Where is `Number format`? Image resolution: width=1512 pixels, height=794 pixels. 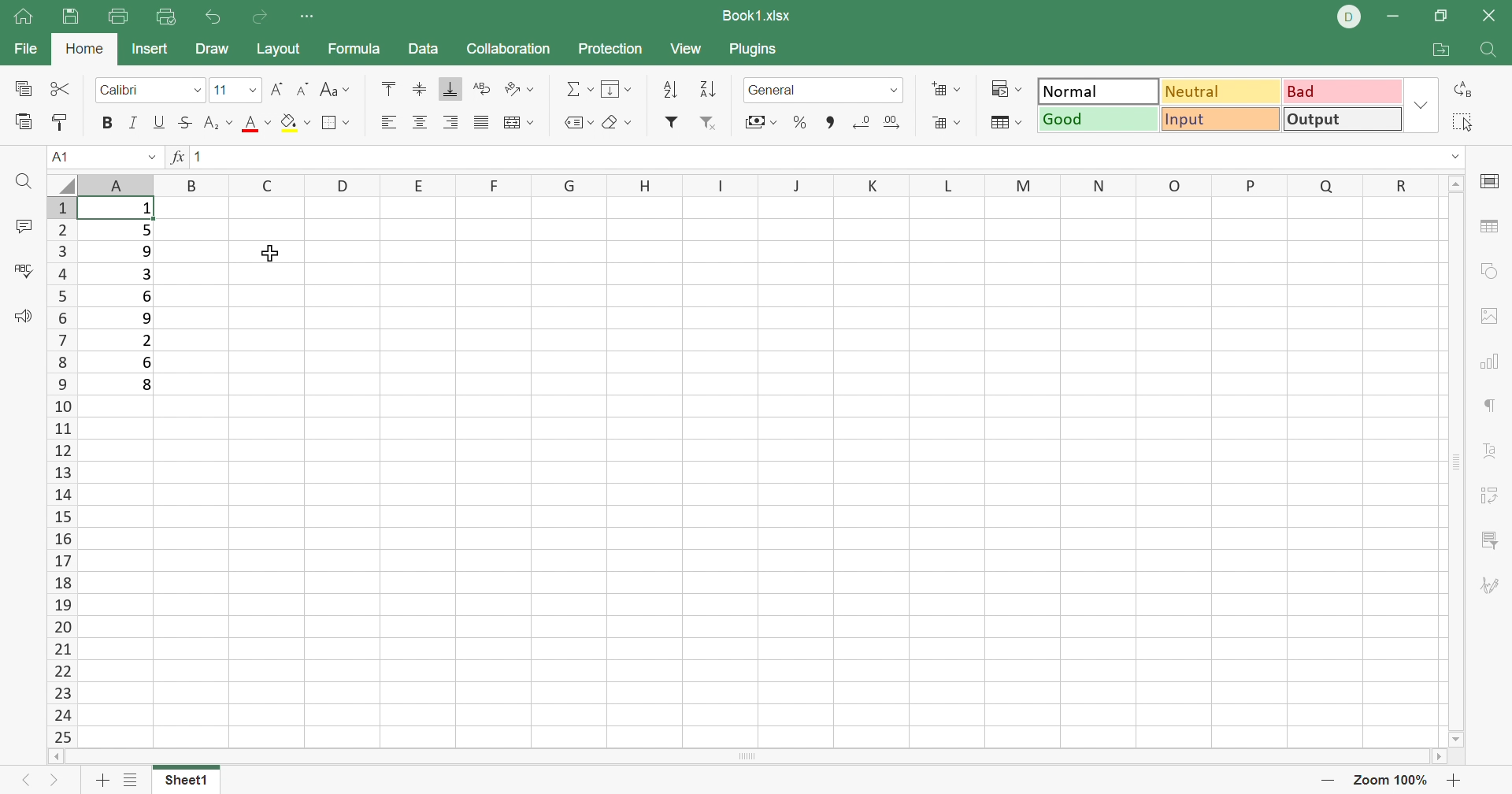
Number format is located at coordinates (822, 90).